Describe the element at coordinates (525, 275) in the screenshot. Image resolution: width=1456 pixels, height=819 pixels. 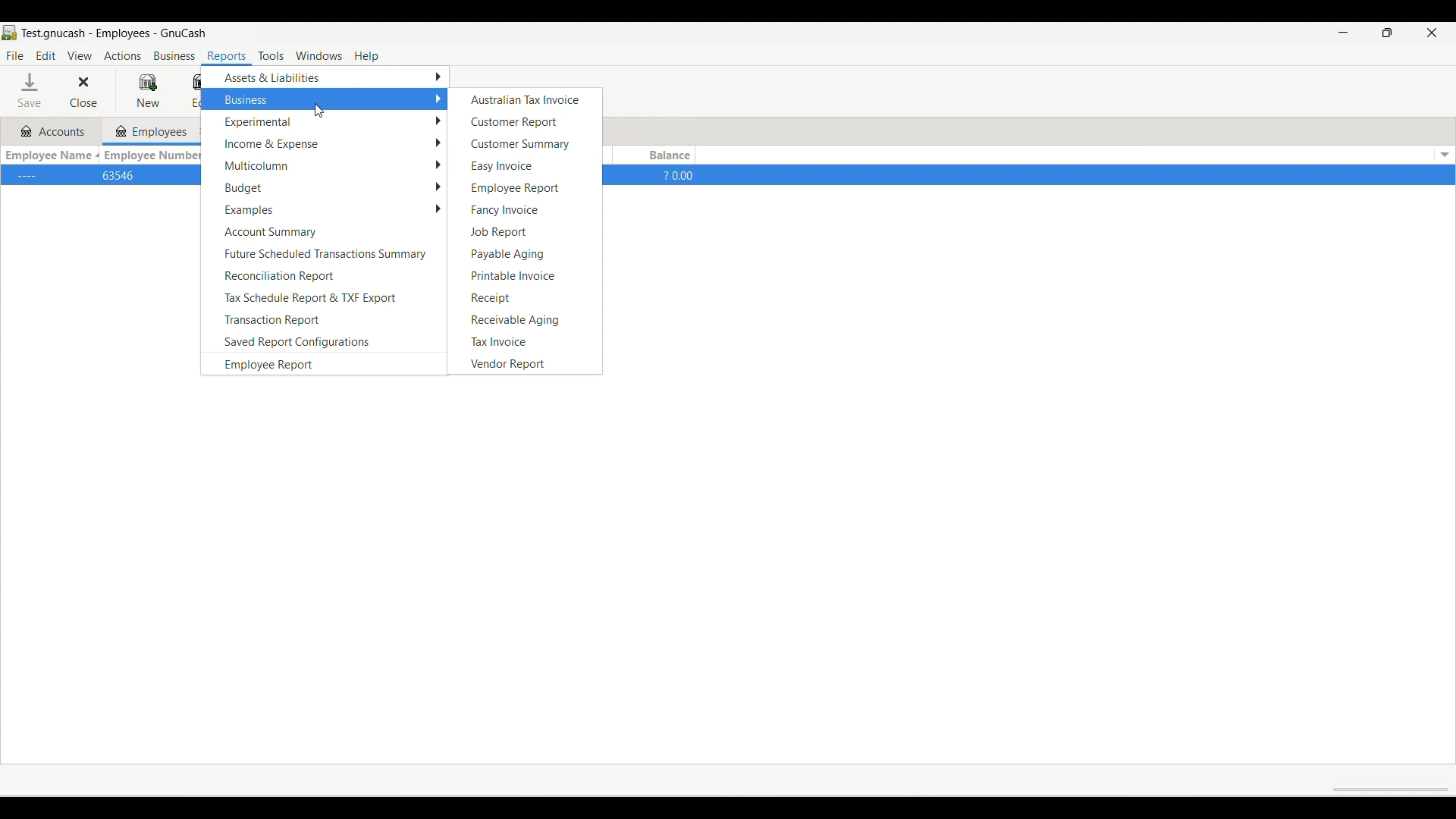
I see `Printable invoice` at that location.